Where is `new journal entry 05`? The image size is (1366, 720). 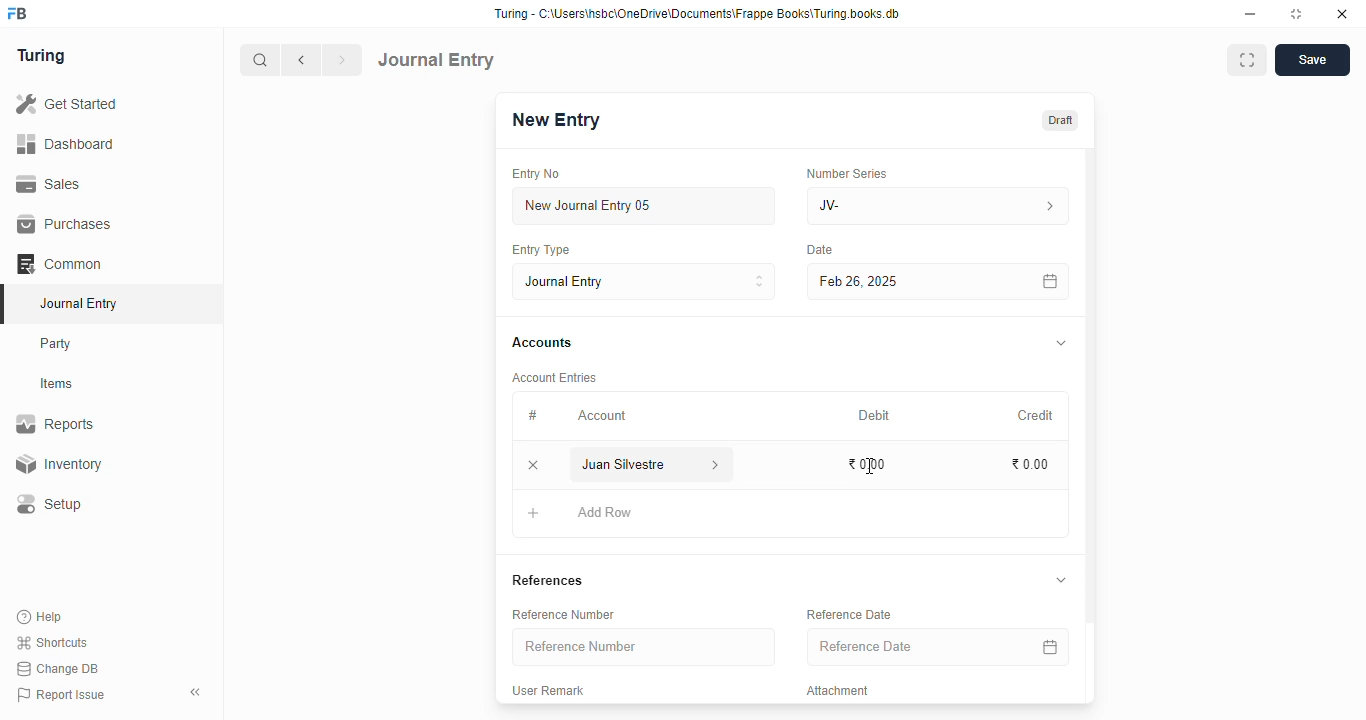 new journal entry 05 is located at coordinates (645, 207).